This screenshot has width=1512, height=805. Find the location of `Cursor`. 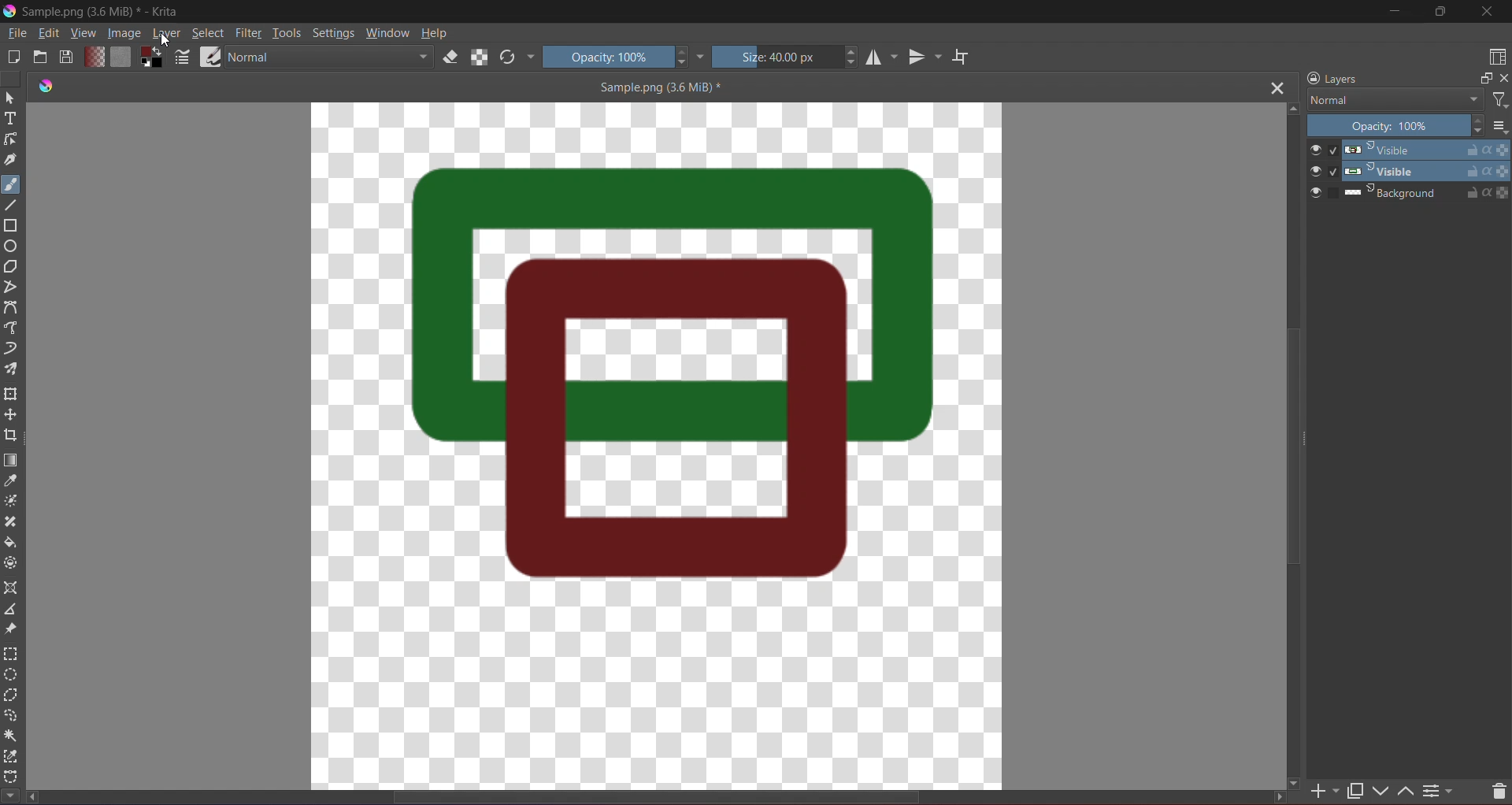

Cursor is located at coordinates (166, 42).